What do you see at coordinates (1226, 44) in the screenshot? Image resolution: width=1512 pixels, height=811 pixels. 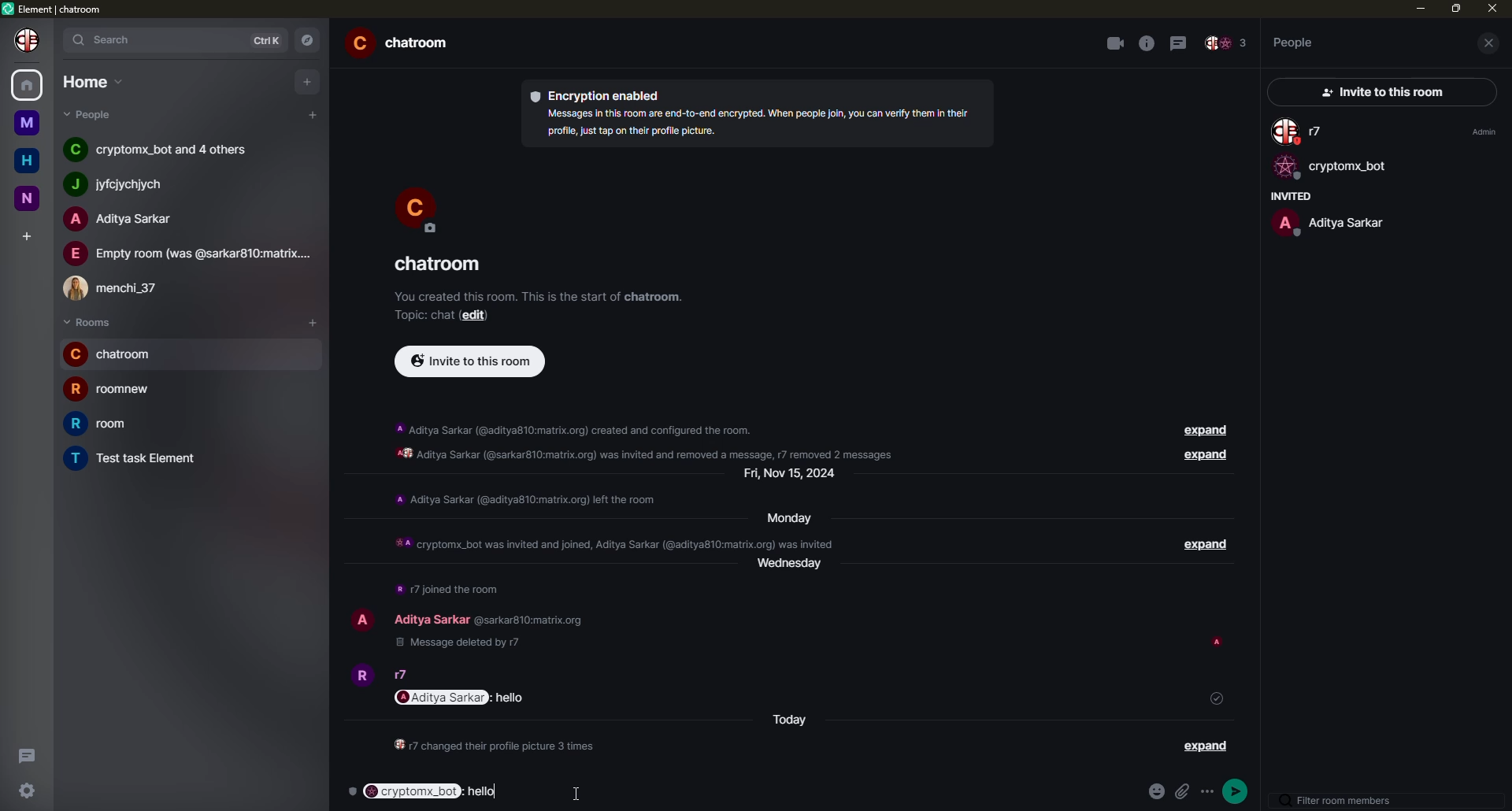 I see `people` at bounding box center [1226, 44].